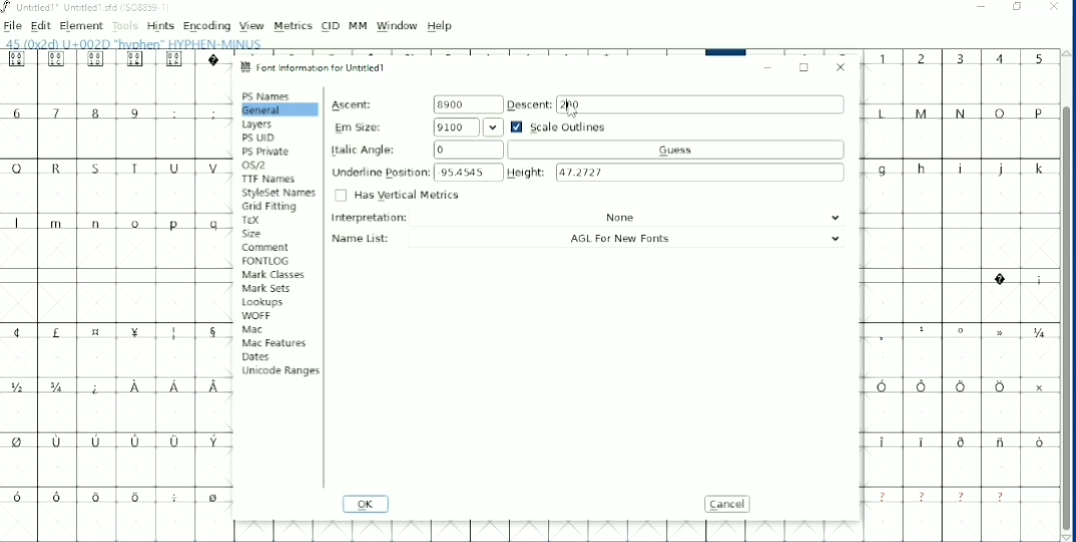 The height and width of the screenshot is (542, 1076). What do you see at coordinates (278, 110) in the screenshot?
I see `General` at bounding box center [278, 110].